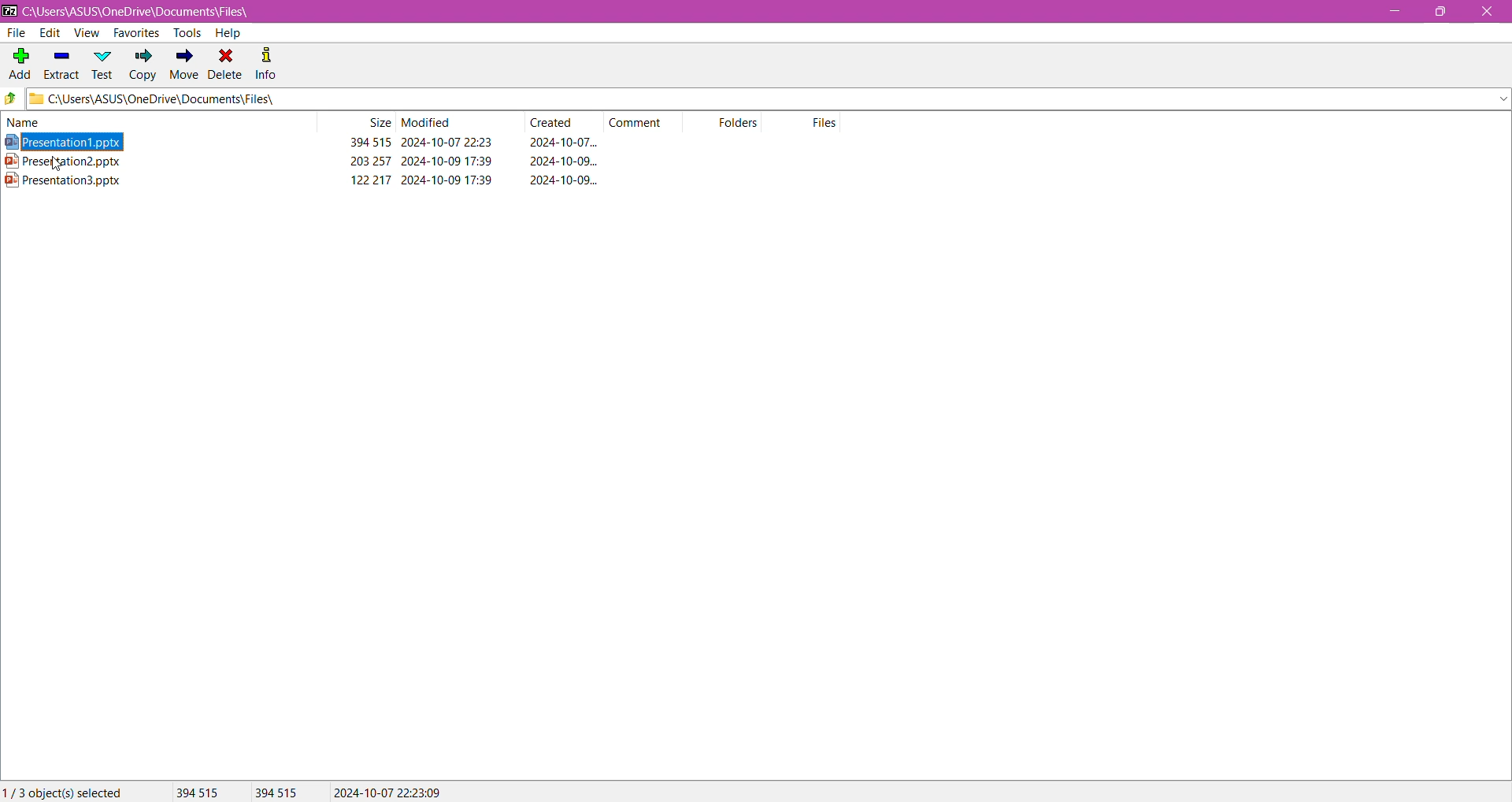 This screenshot has width=1512, height=802. What do you see at coordinates (378, 123) in the screenshot?
I see `Size` at bounding box center [378, 123].